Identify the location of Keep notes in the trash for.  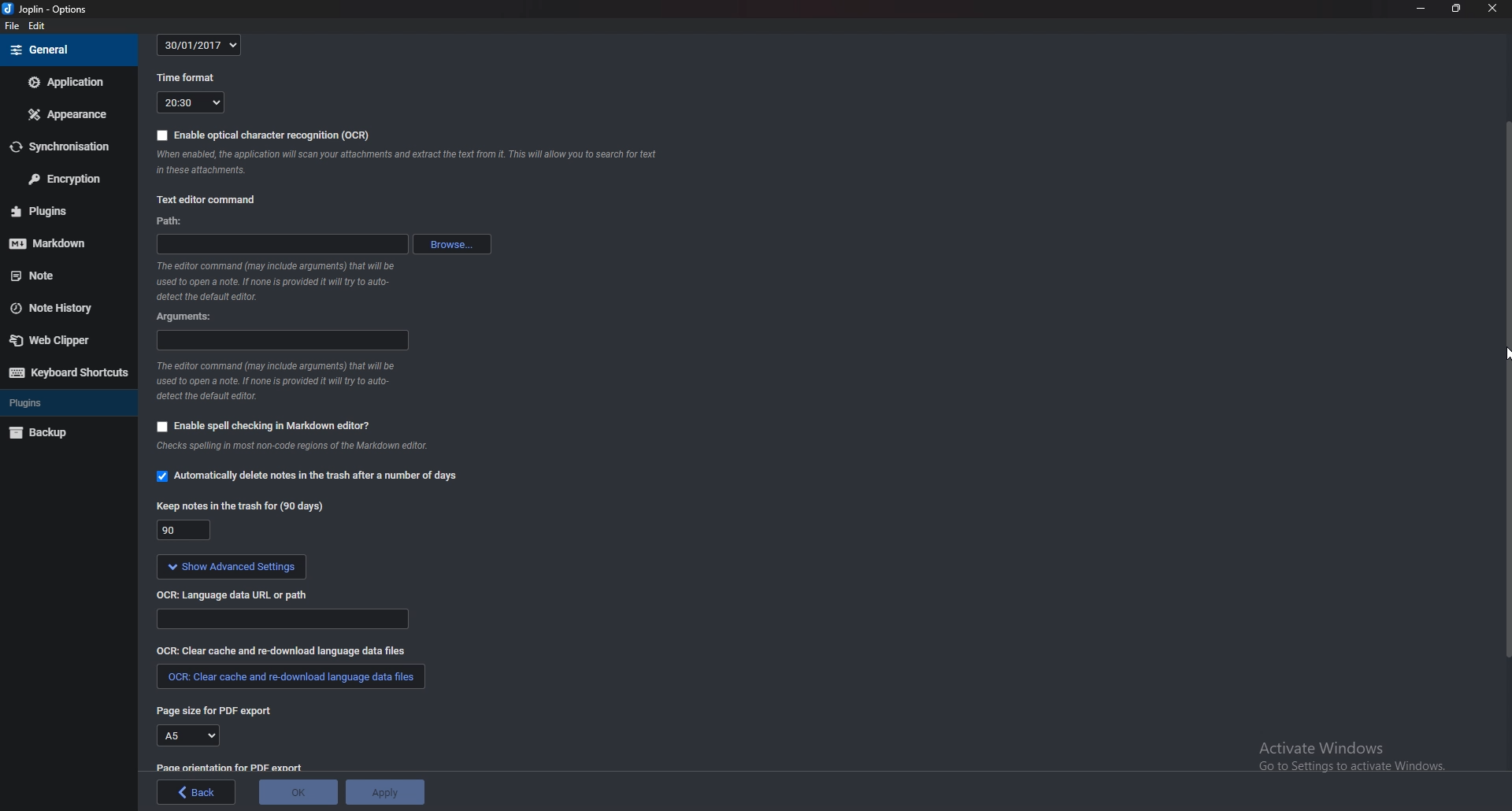
(240, 508).